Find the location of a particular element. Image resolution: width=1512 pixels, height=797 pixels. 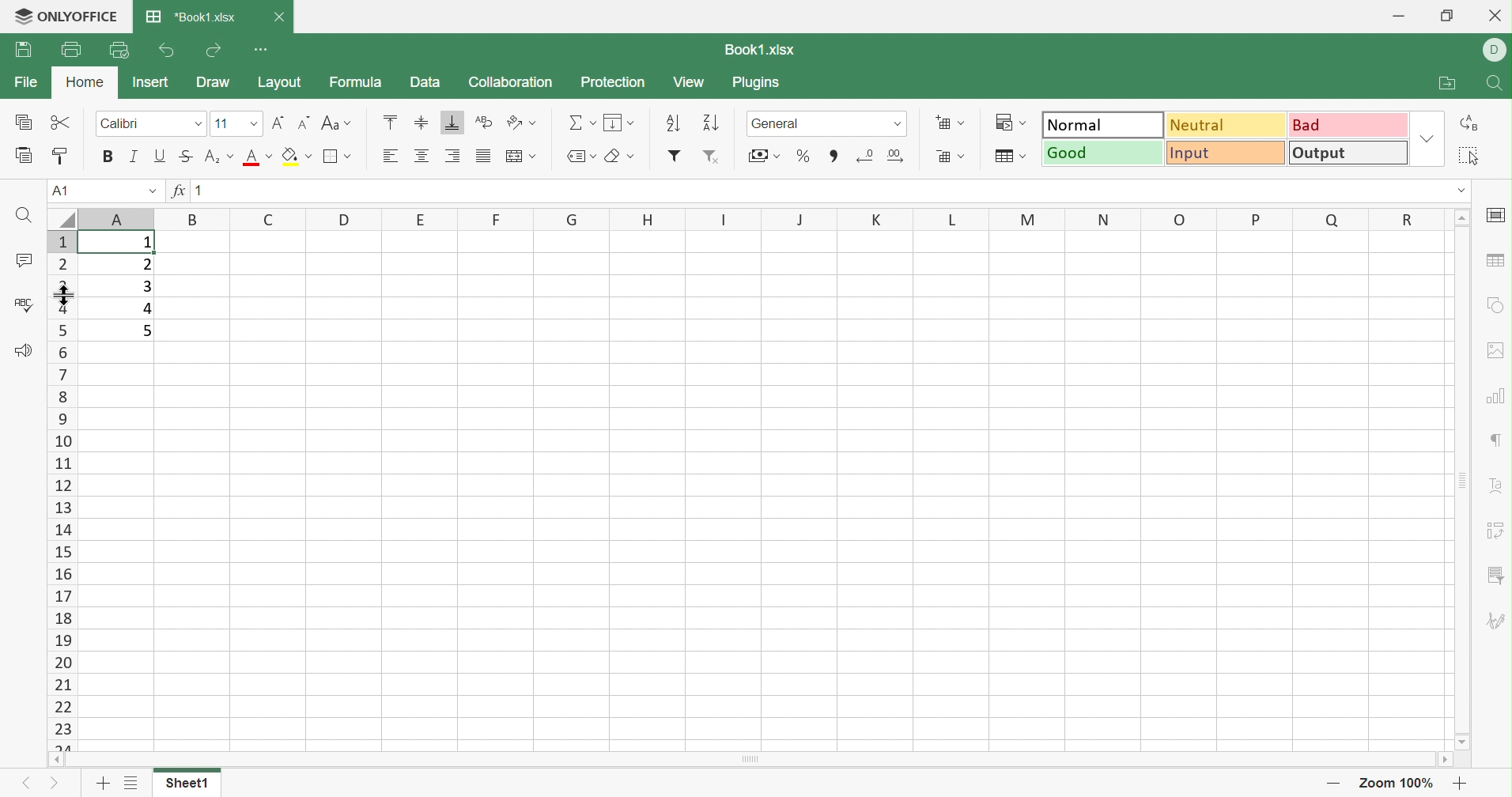

Good is located at coordinates (1103, 153).